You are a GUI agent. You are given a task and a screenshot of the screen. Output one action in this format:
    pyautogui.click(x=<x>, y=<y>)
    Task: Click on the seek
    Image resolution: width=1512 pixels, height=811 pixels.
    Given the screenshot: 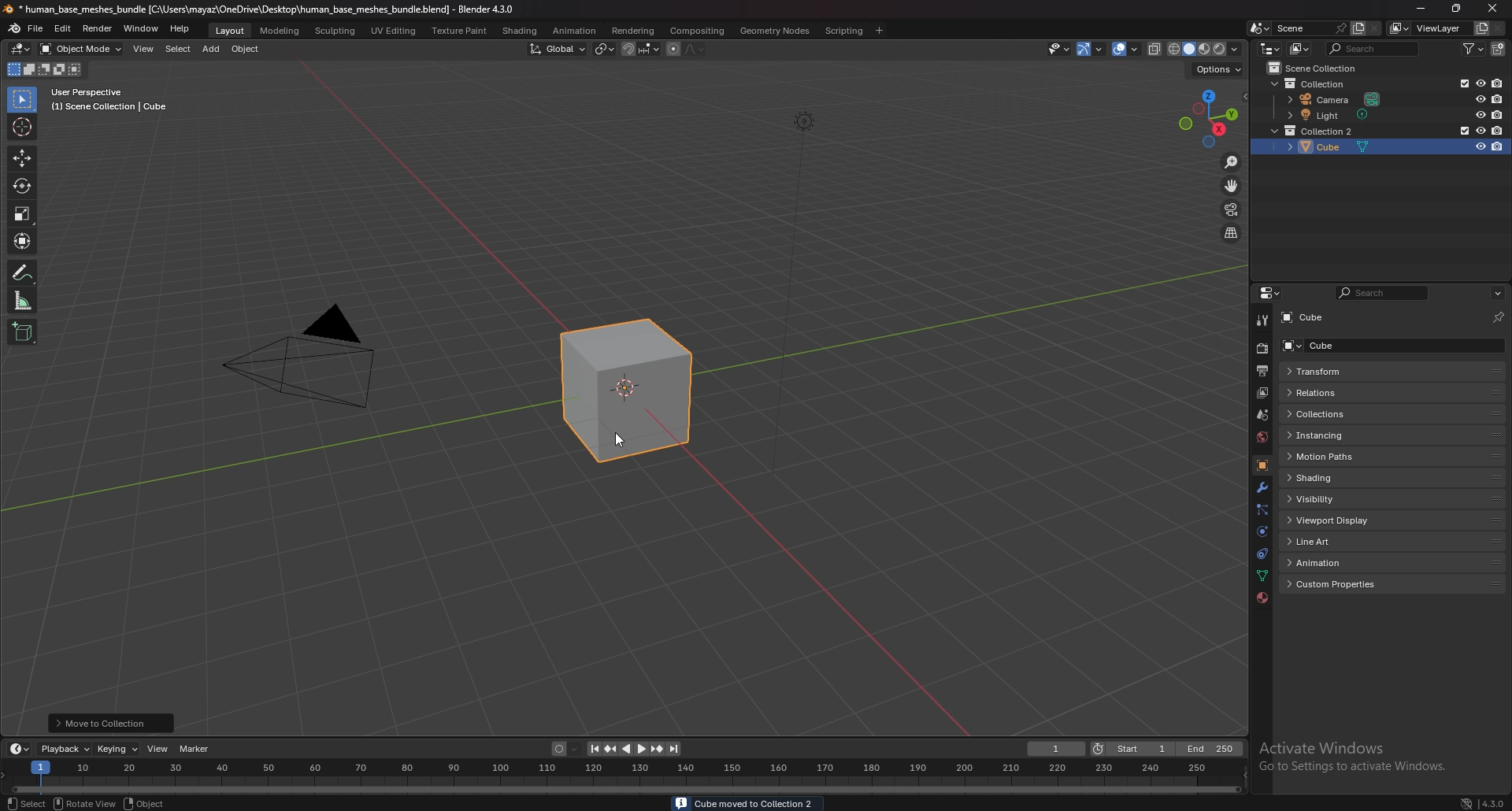 What is the action you would take?
    pyautogui.click(x=624, y=777)
    